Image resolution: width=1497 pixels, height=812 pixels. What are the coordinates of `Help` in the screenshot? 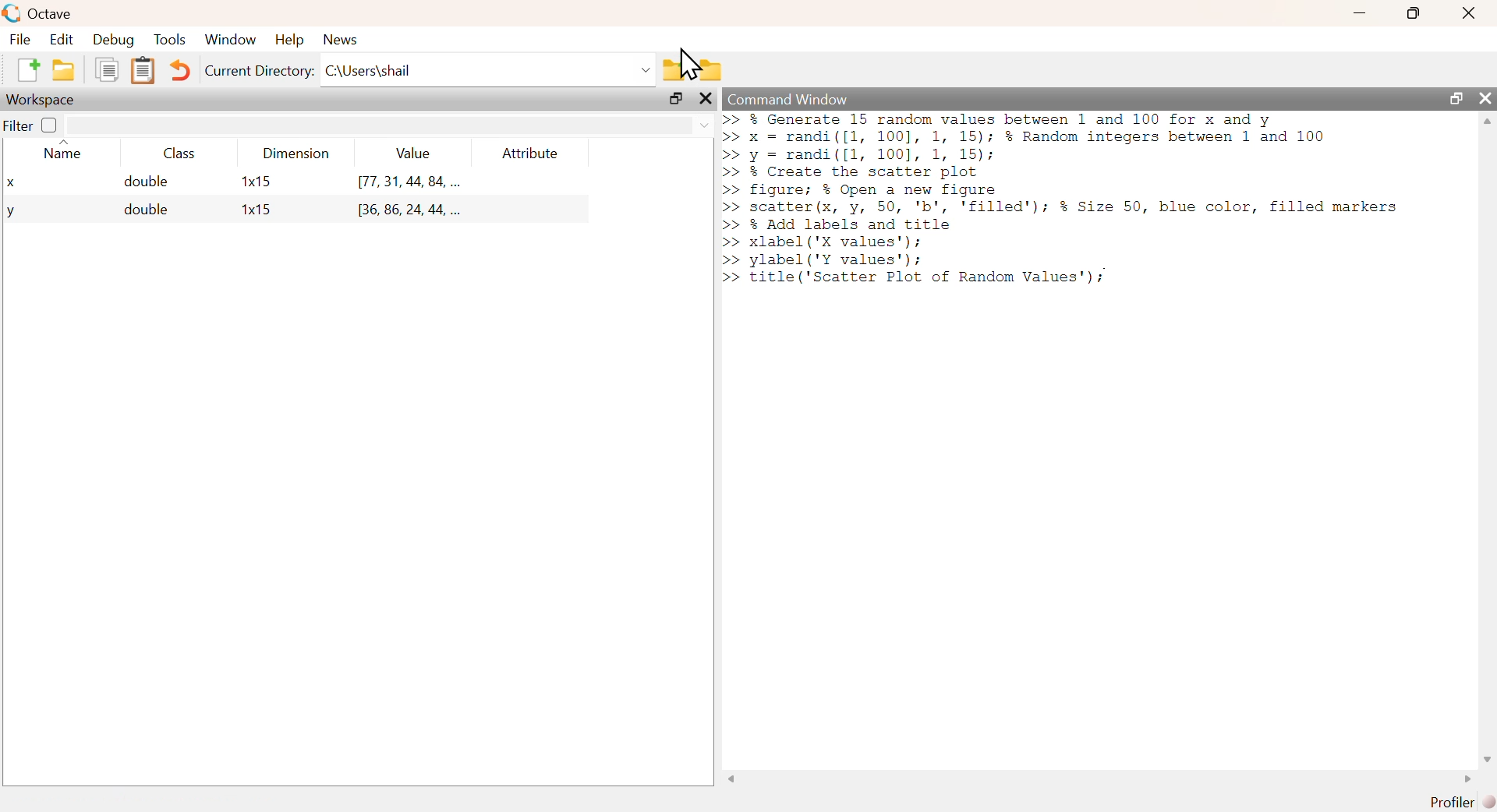 It's located at (289, 40).